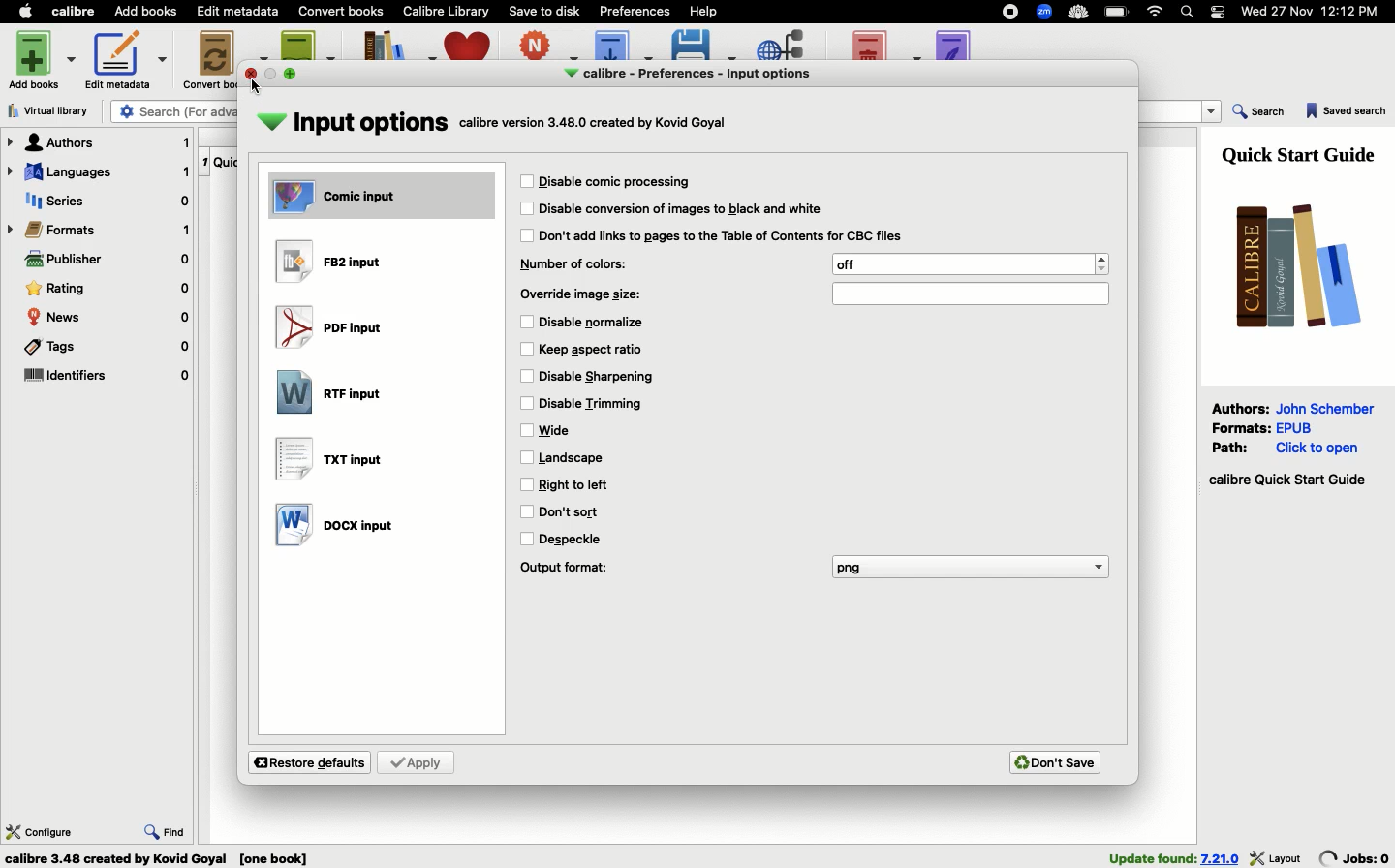 The height and width of the screenshot is (868, 1395). I want to click on Checkbox, so click(524, 322).